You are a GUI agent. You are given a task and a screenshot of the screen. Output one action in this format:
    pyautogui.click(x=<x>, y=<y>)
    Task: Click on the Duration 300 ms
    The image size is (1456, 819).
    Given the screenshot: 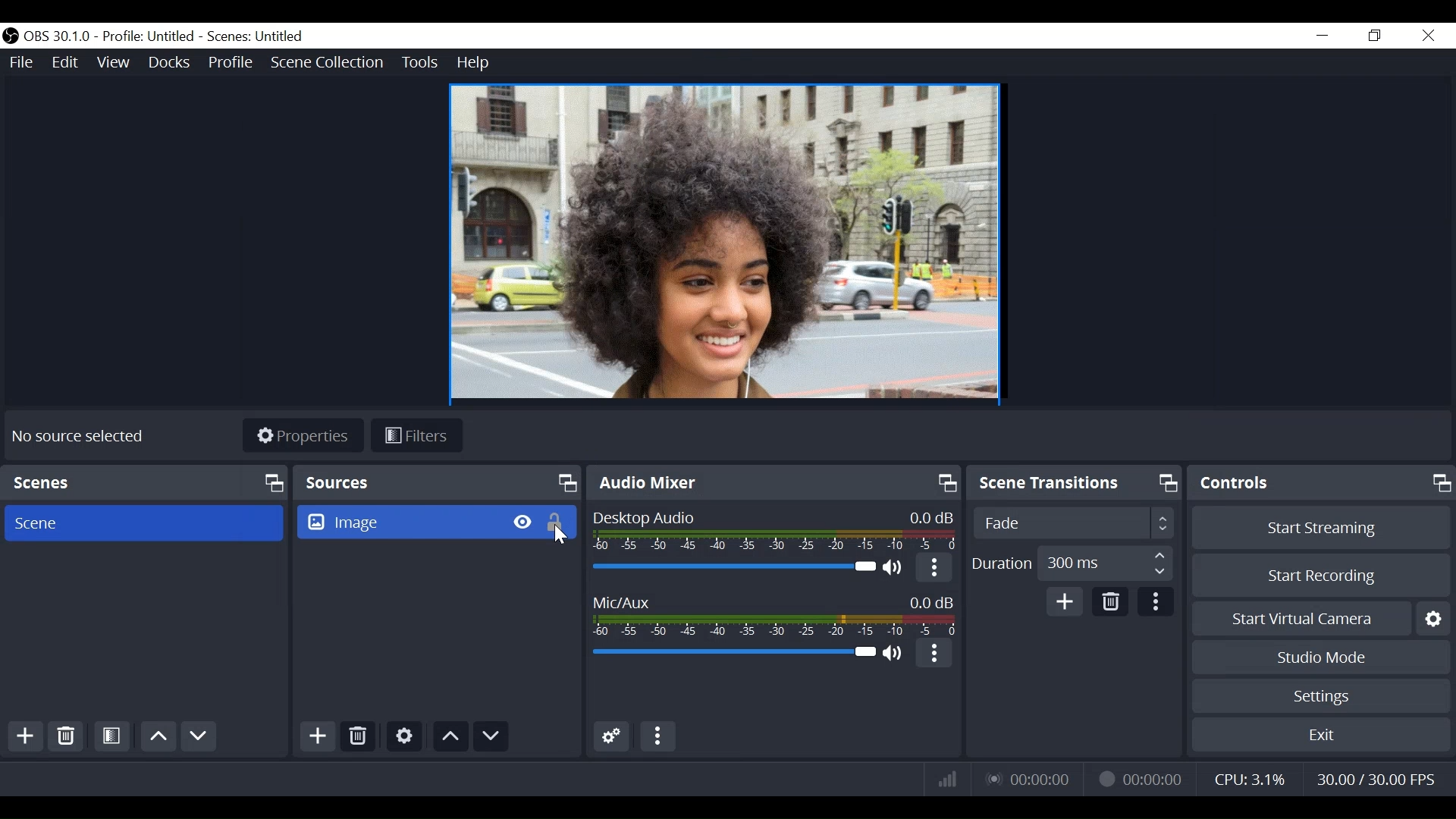 What is the action you would take?
    pyautogui.click(x=1073, y=562)
    